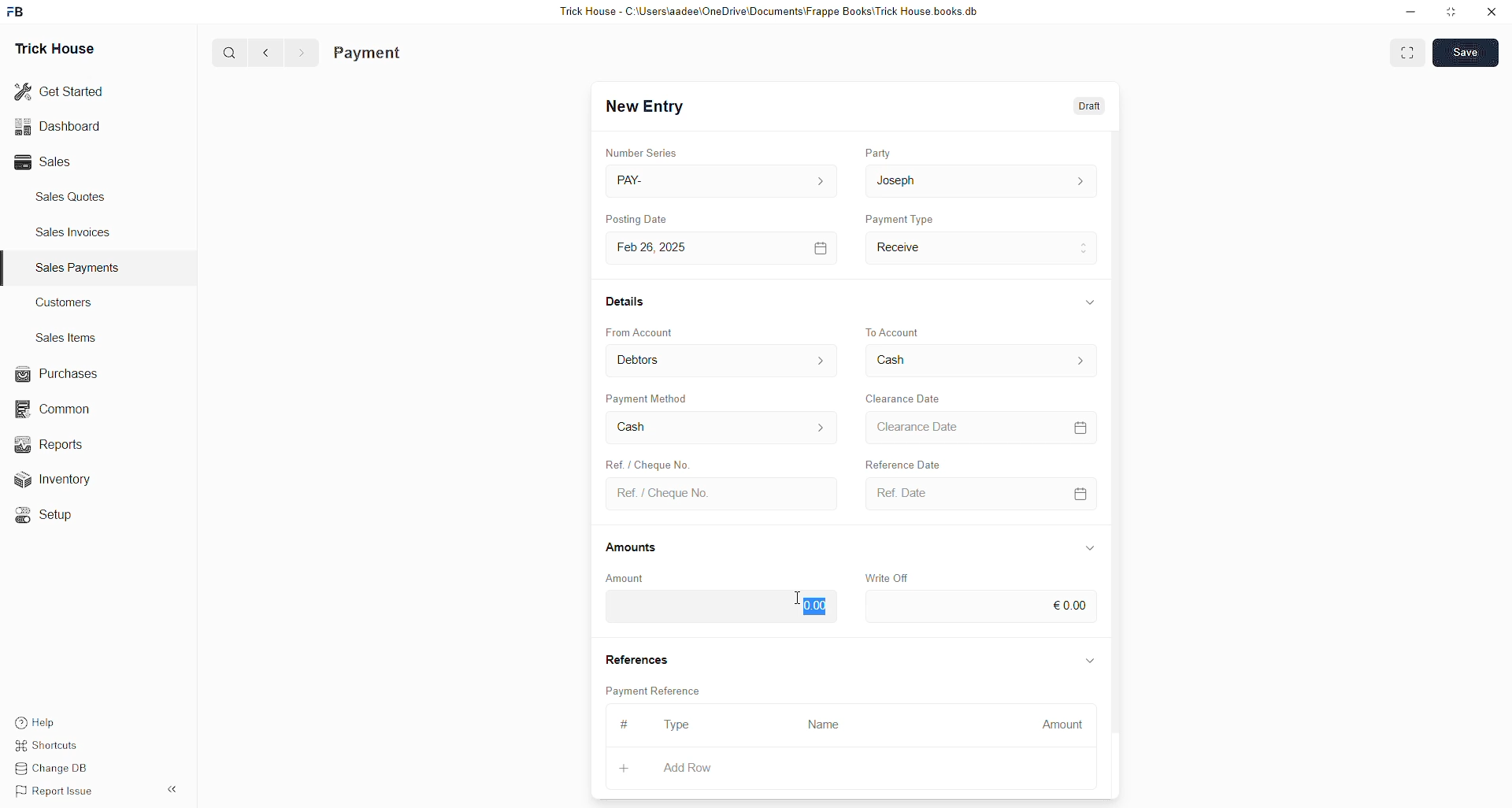  I want to click on Feb 26, 2025, so click(725, 249).